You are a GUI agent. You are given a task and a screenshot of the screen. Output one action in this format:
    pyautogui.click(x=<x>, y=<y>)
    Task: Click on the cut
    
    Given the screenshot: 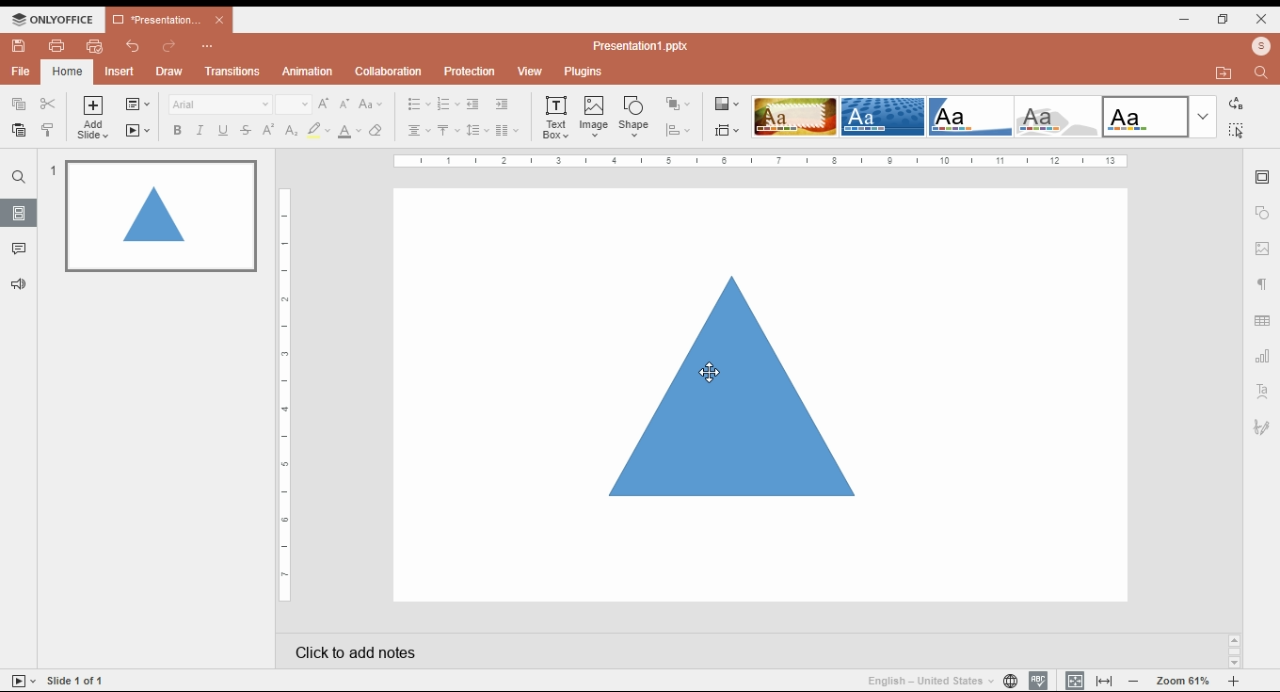 What is the action you would take?
    pyautogui.click(x=48, y=103)
    